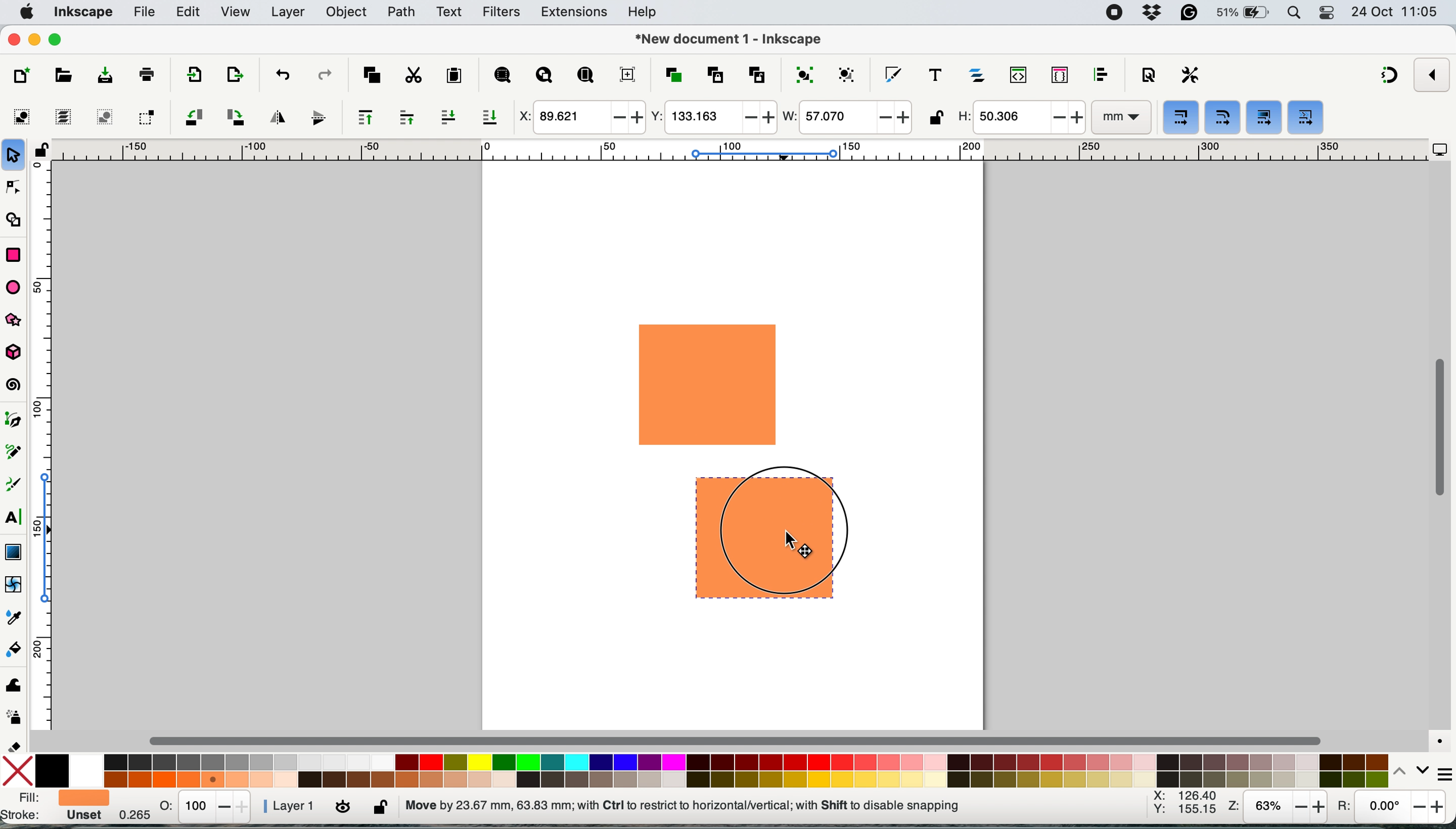 The width and height of the screenshot is (1456, 829). Describe the element at coordinates (712, 117) in the screenshot. I see `y coordinate` at that location.